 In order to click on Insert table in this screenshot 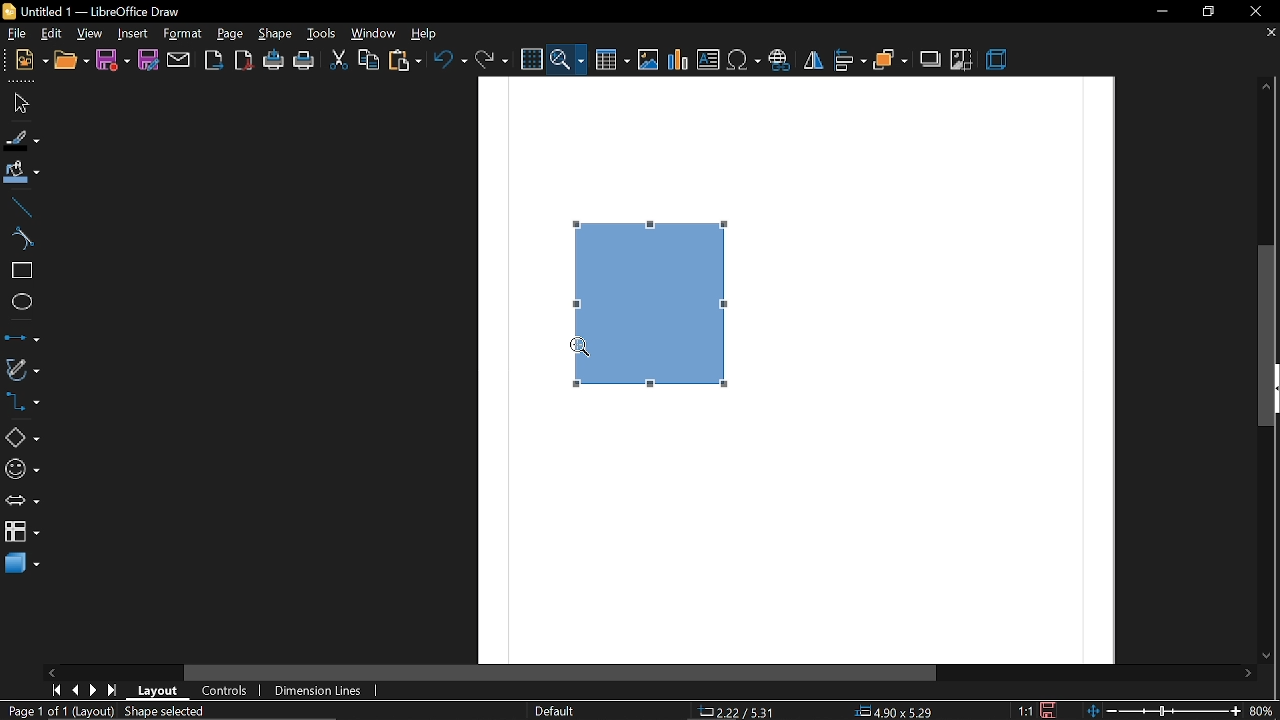, I will do `click(610, 61)`.